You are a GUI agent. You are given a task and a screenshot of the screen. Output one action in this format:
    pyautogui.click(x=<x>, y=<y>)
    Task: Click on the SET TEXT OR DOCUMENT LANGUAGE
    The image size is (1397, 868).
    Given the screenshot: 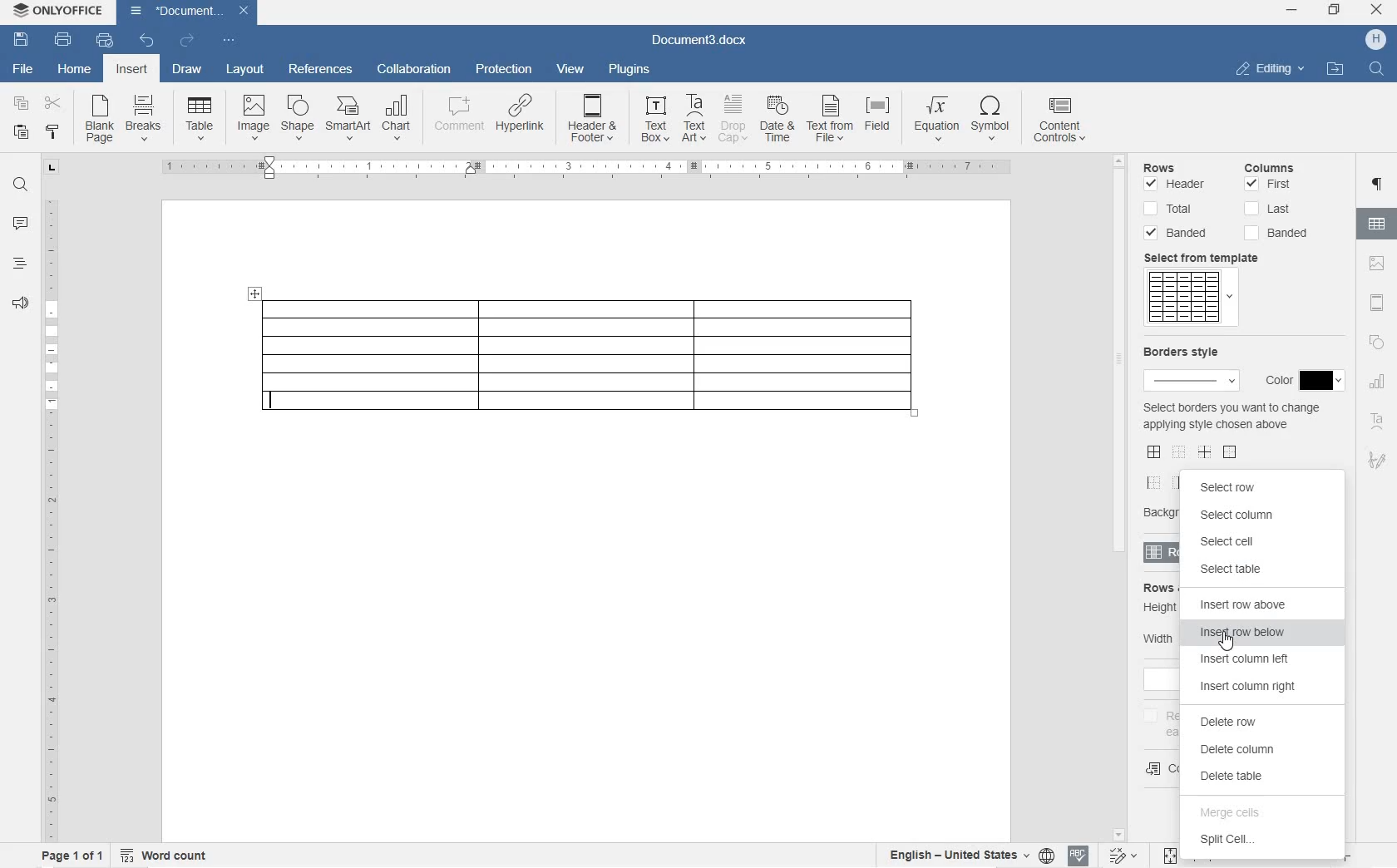 What is the action you would take?
    pyautogui.click(x=969, y=855)
    